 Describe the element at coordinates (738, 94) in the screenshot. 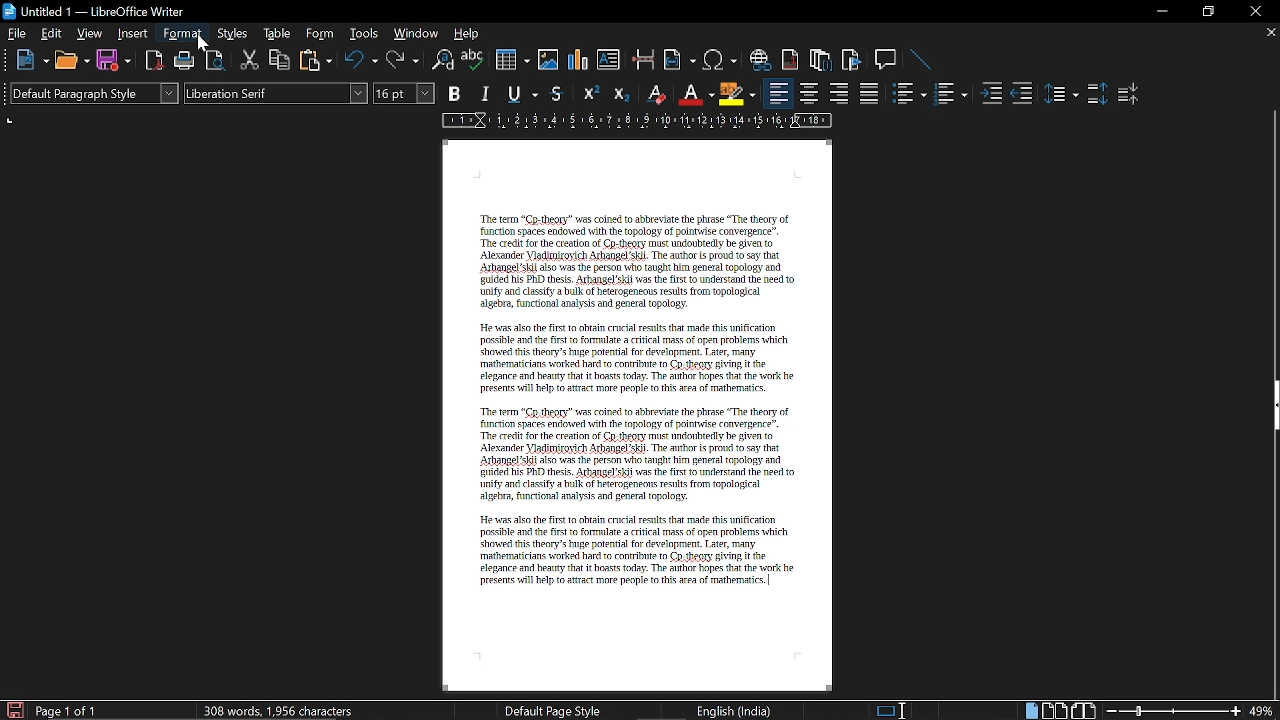

I see `Highlights` at that location.